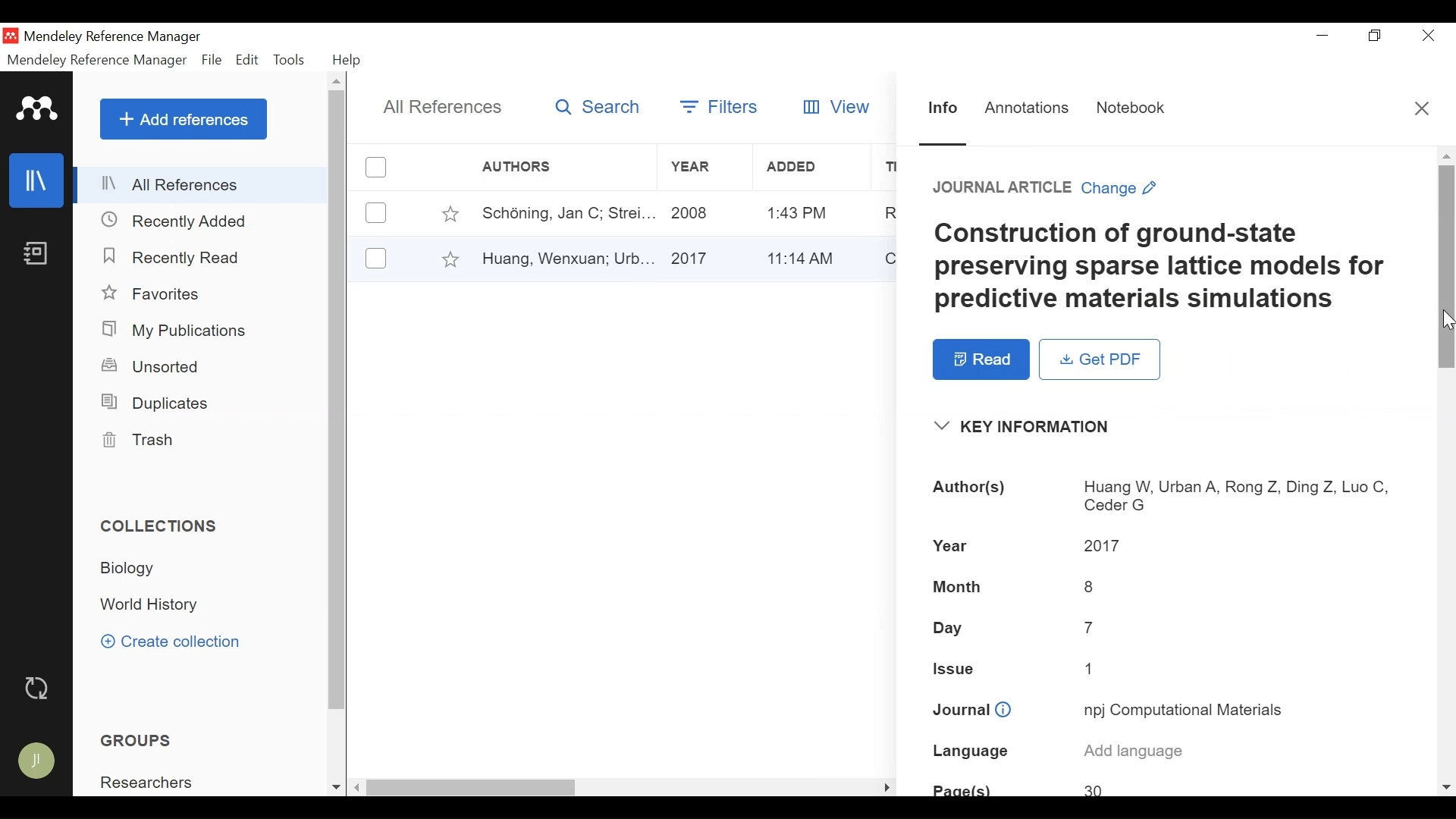 This screenshot has width=1456, height=819. Describe the element at coordinates (1430, 35) in the screenshot. I see `Close` at that location.